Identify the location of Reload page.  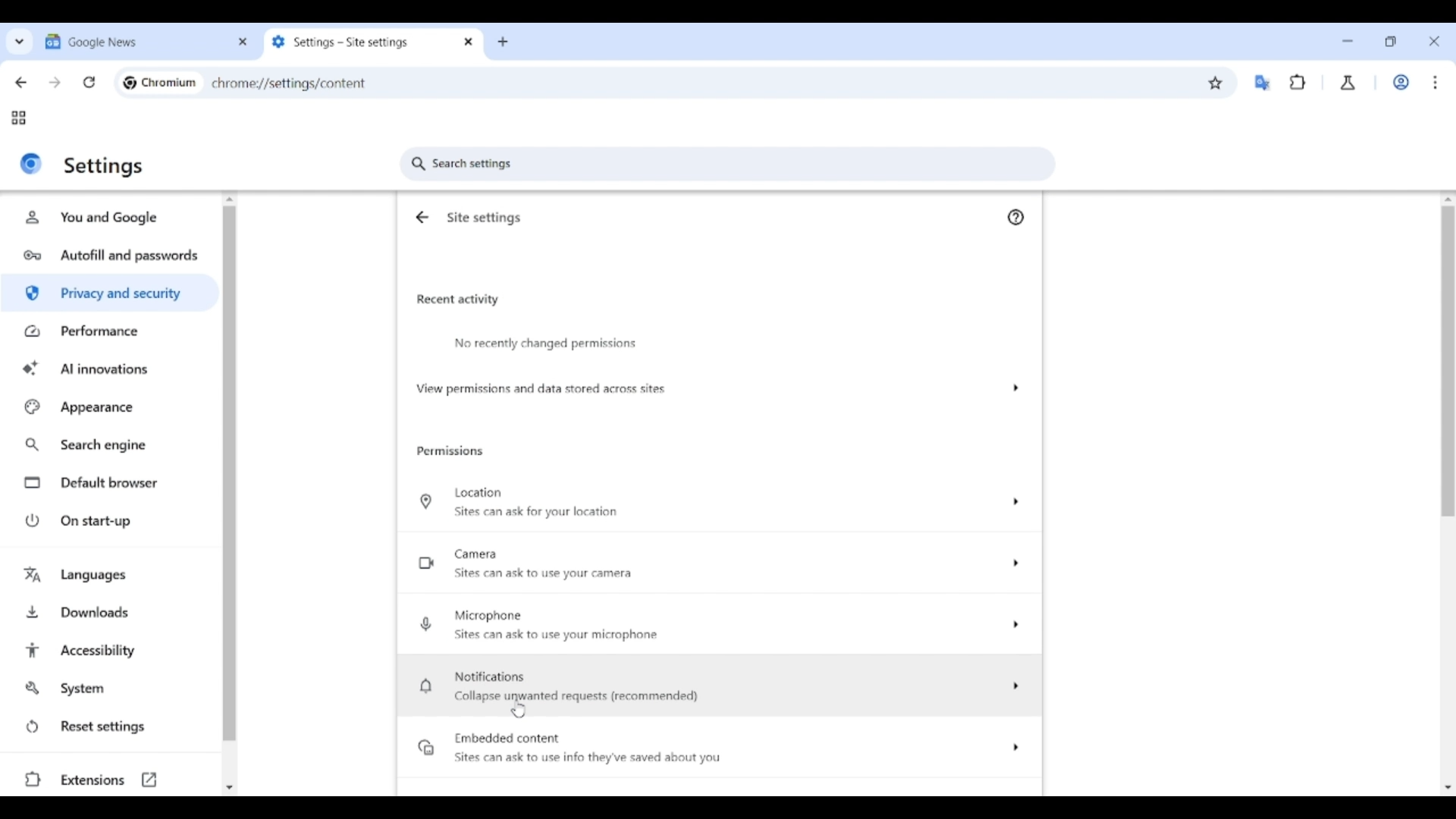
(89, 82).